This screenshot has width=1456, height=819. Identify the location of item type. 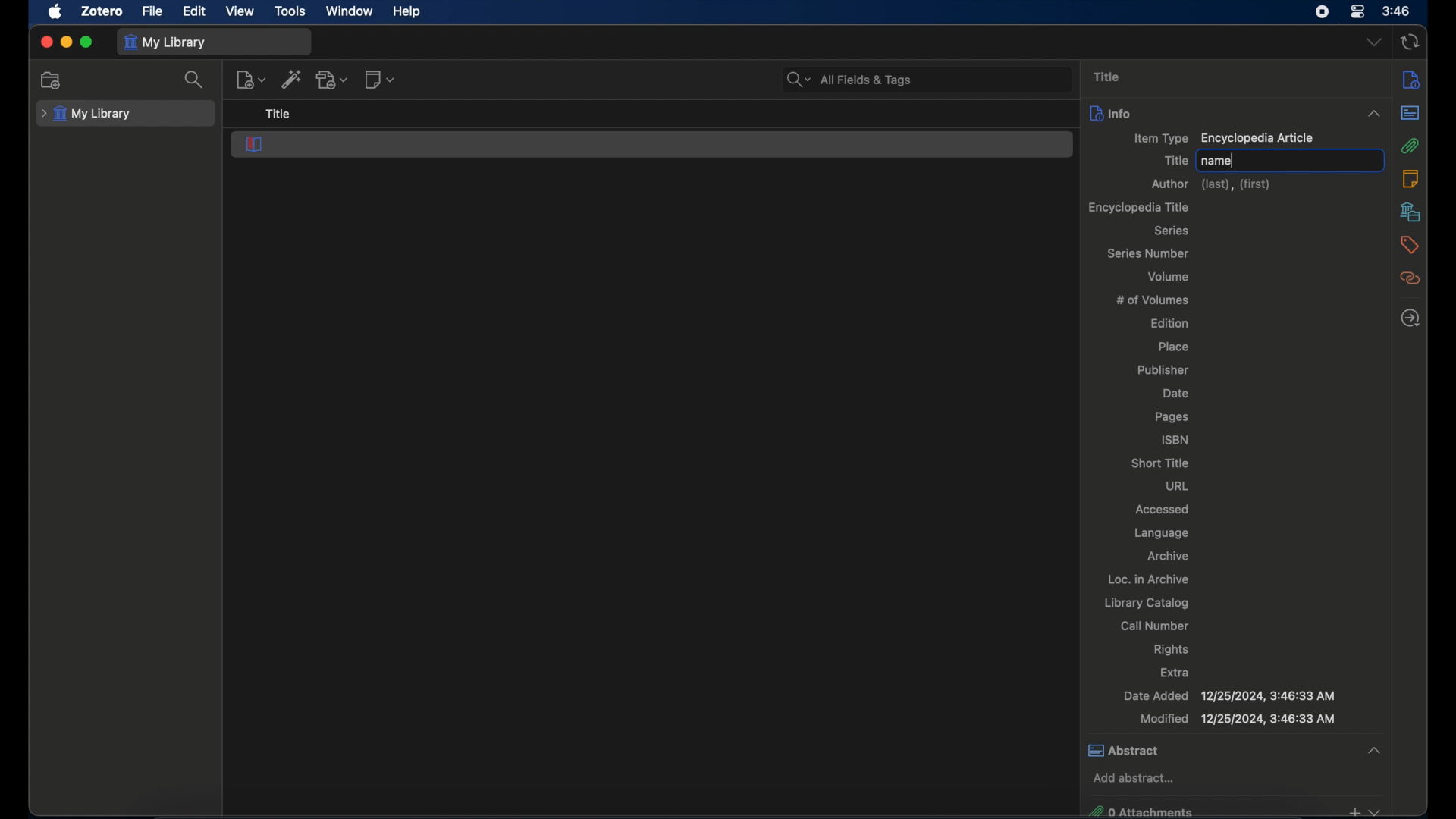
(1223, 139).